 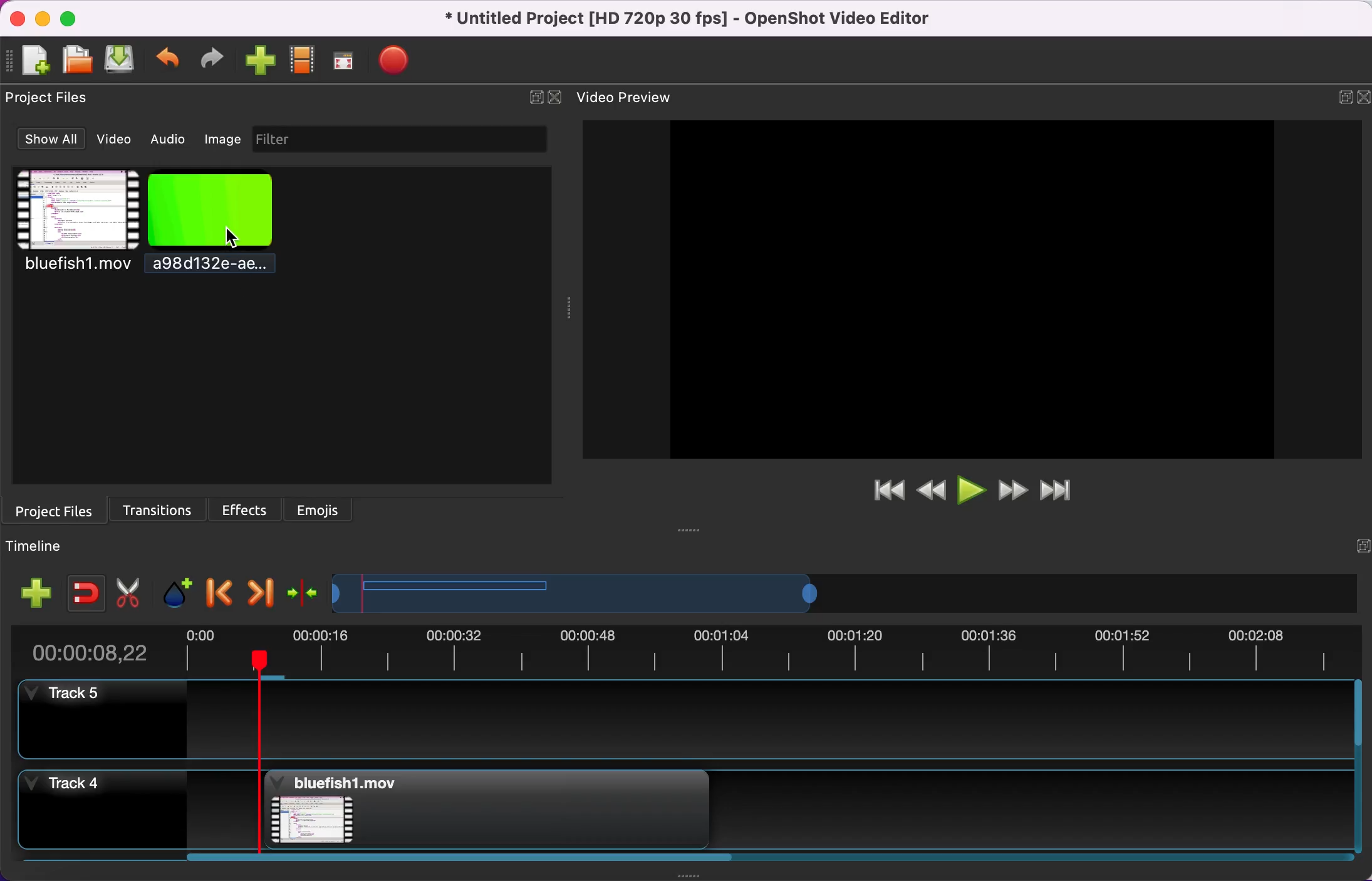 What do you see at coordinates (264, 592) in the screenshot?
I see `next marker` at bounding box center [264, 592].